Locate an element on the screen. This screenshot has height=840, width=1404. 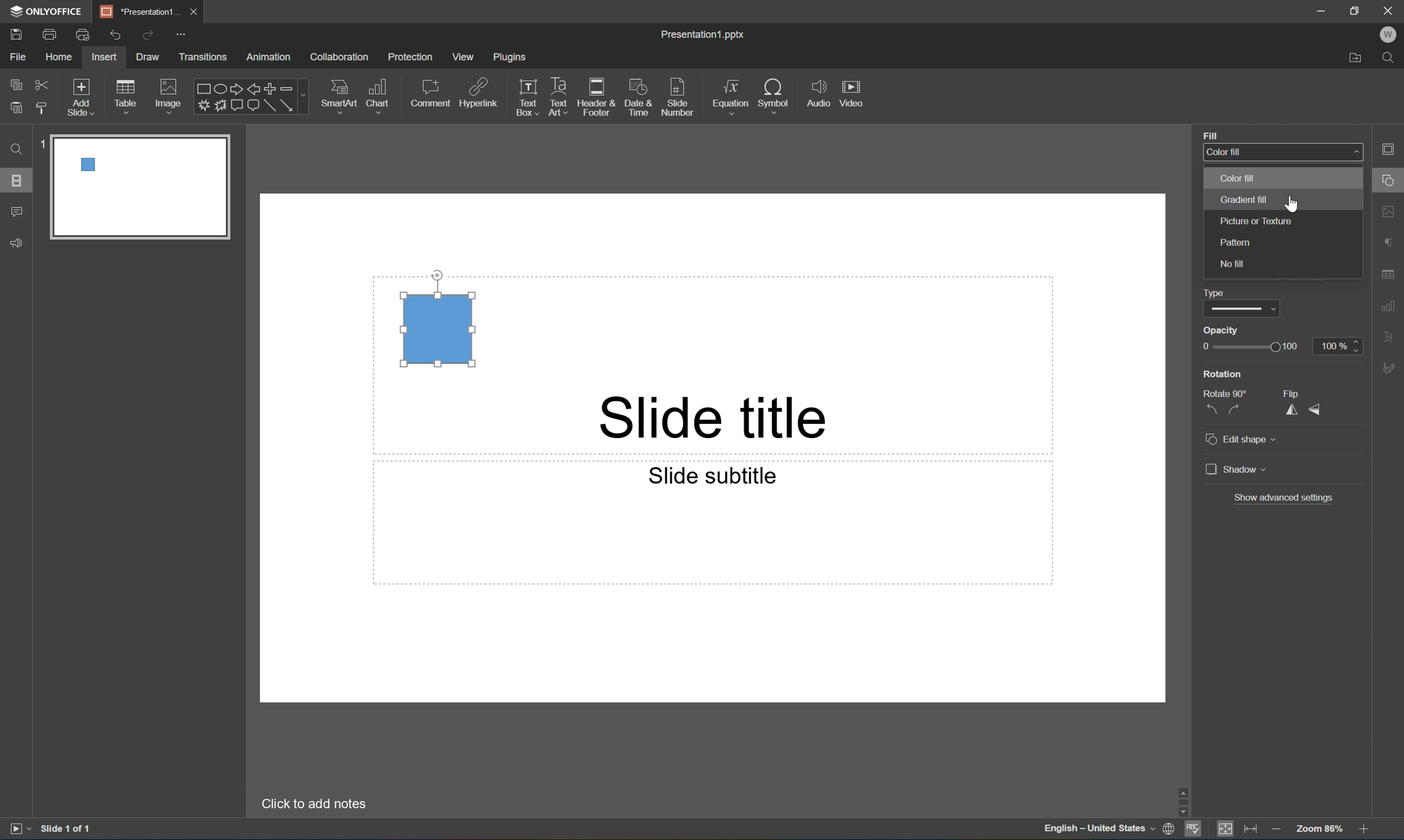
Slide subtitle is located at coordinates (713, 477).